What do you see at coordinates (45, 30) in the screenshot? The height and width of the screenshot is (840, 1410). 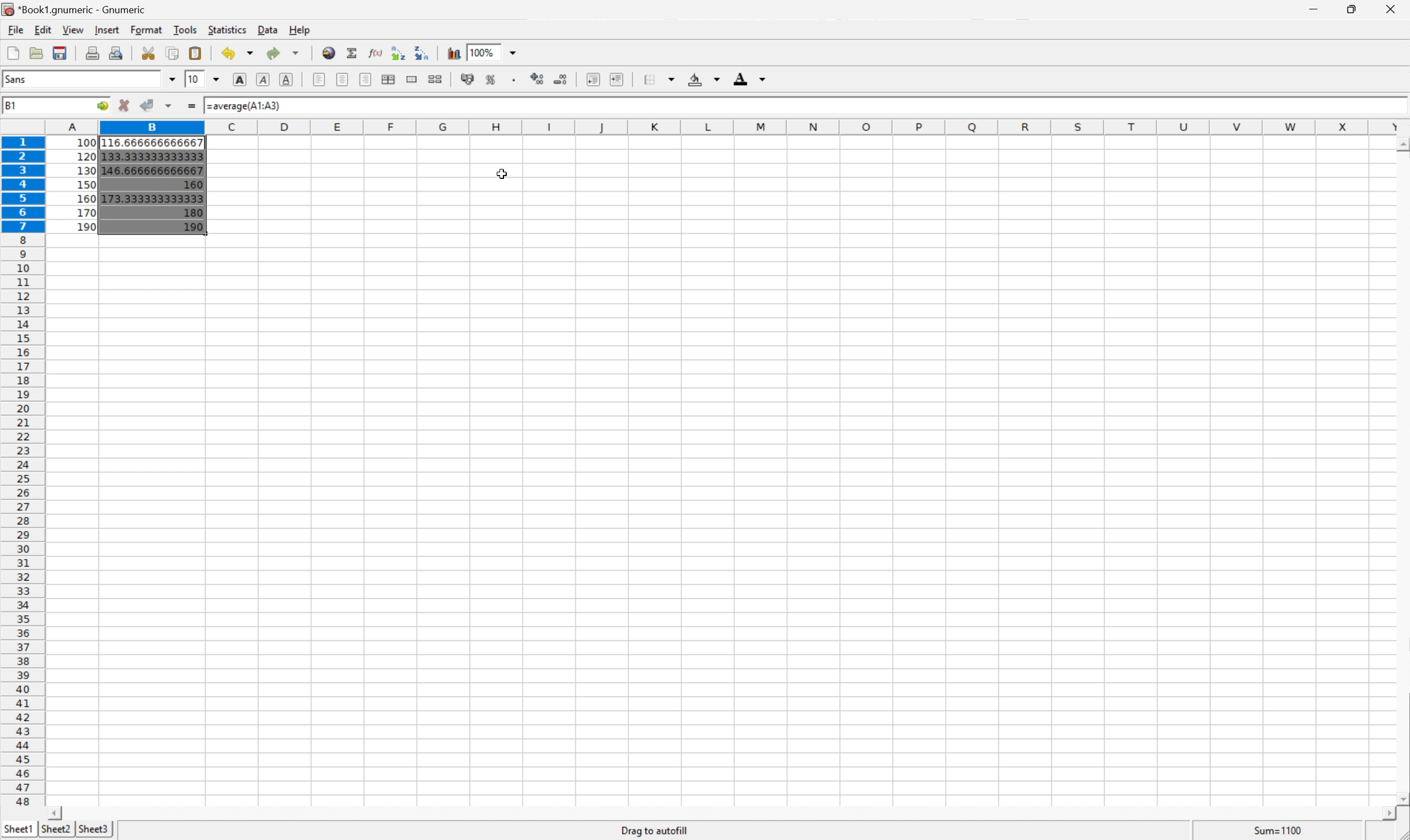 I see `Edit` at bounding box center [45, 30].